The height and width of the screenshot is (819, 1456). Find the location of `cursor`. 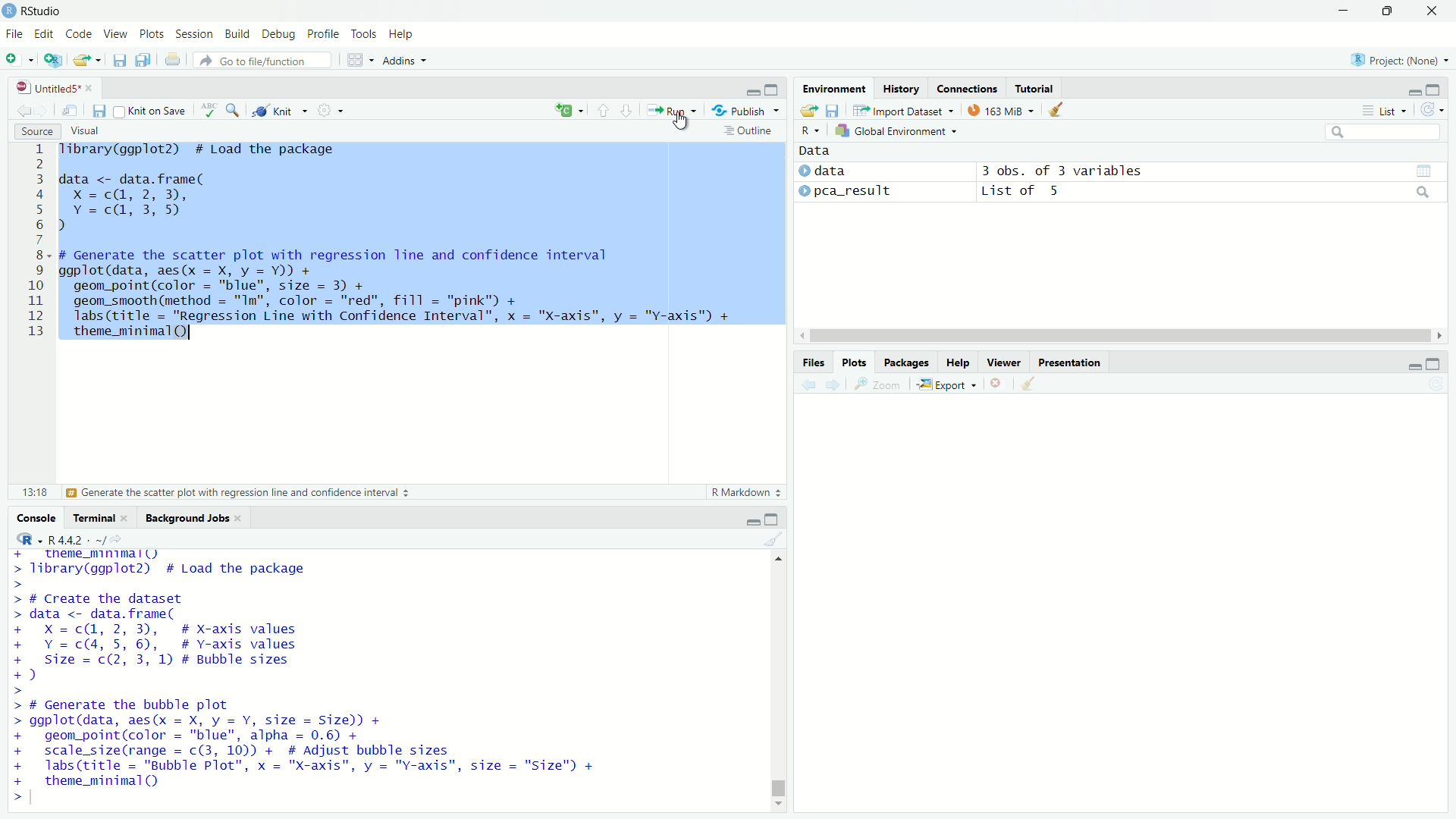

cursor is located at coordinates (680, 124).